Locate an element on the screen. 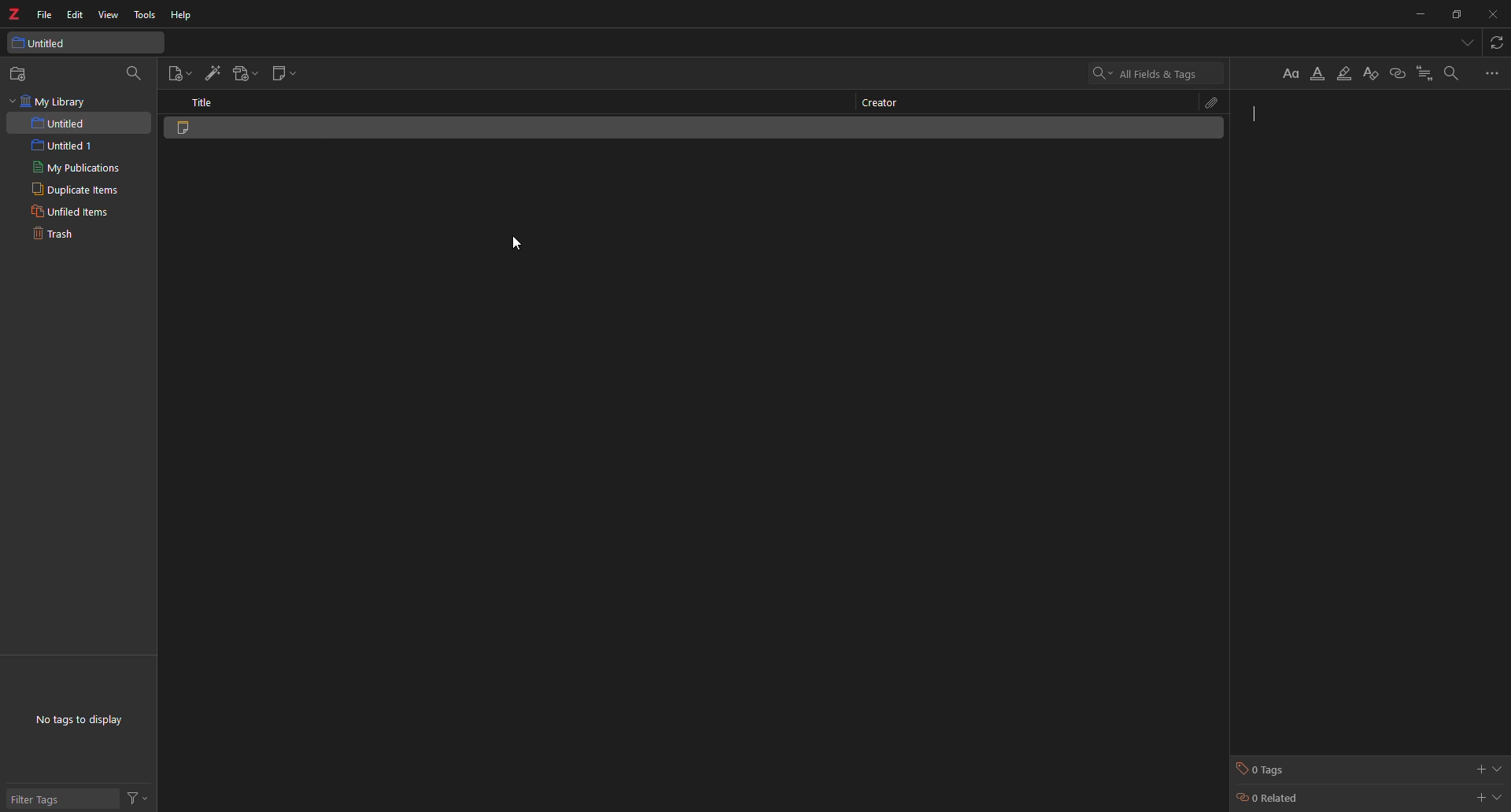 The width and height of the screenshot is (1511, 812). more is located at coordinates (1495, 72).